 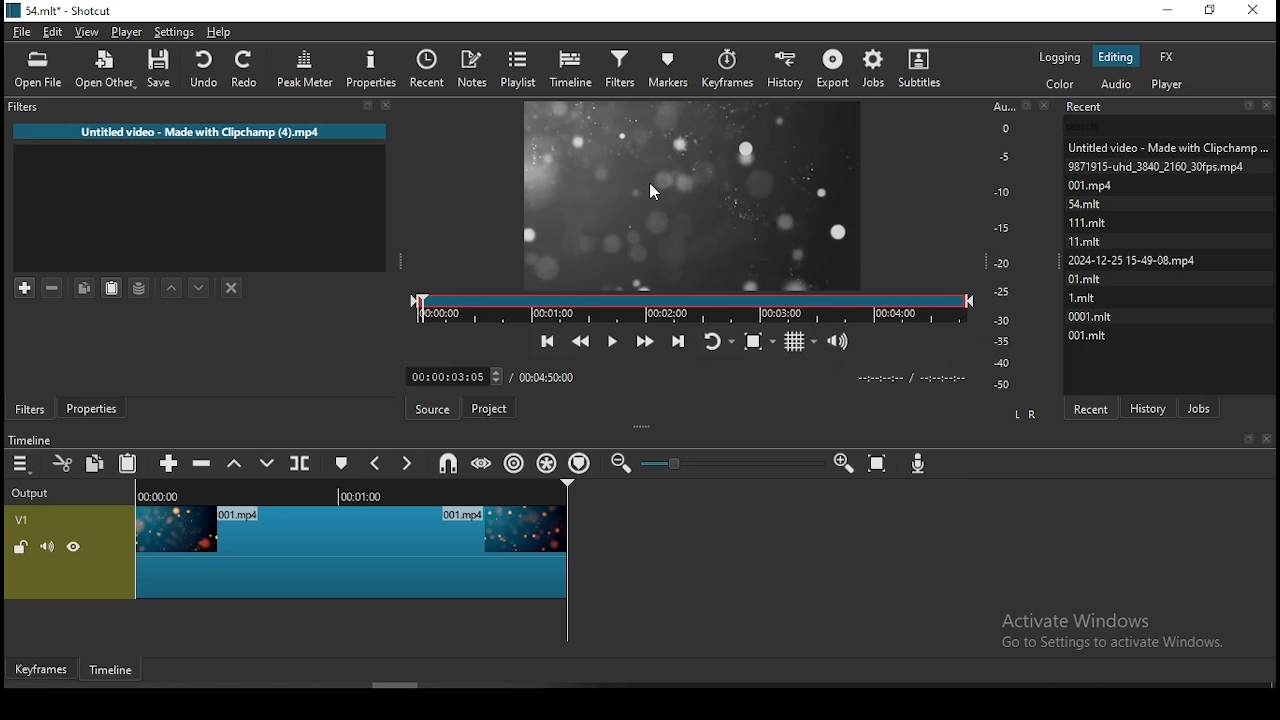 What do you see at coordinates (198, 106) in the screenshot?
I see `Filter` at bounding box center [198, 106].